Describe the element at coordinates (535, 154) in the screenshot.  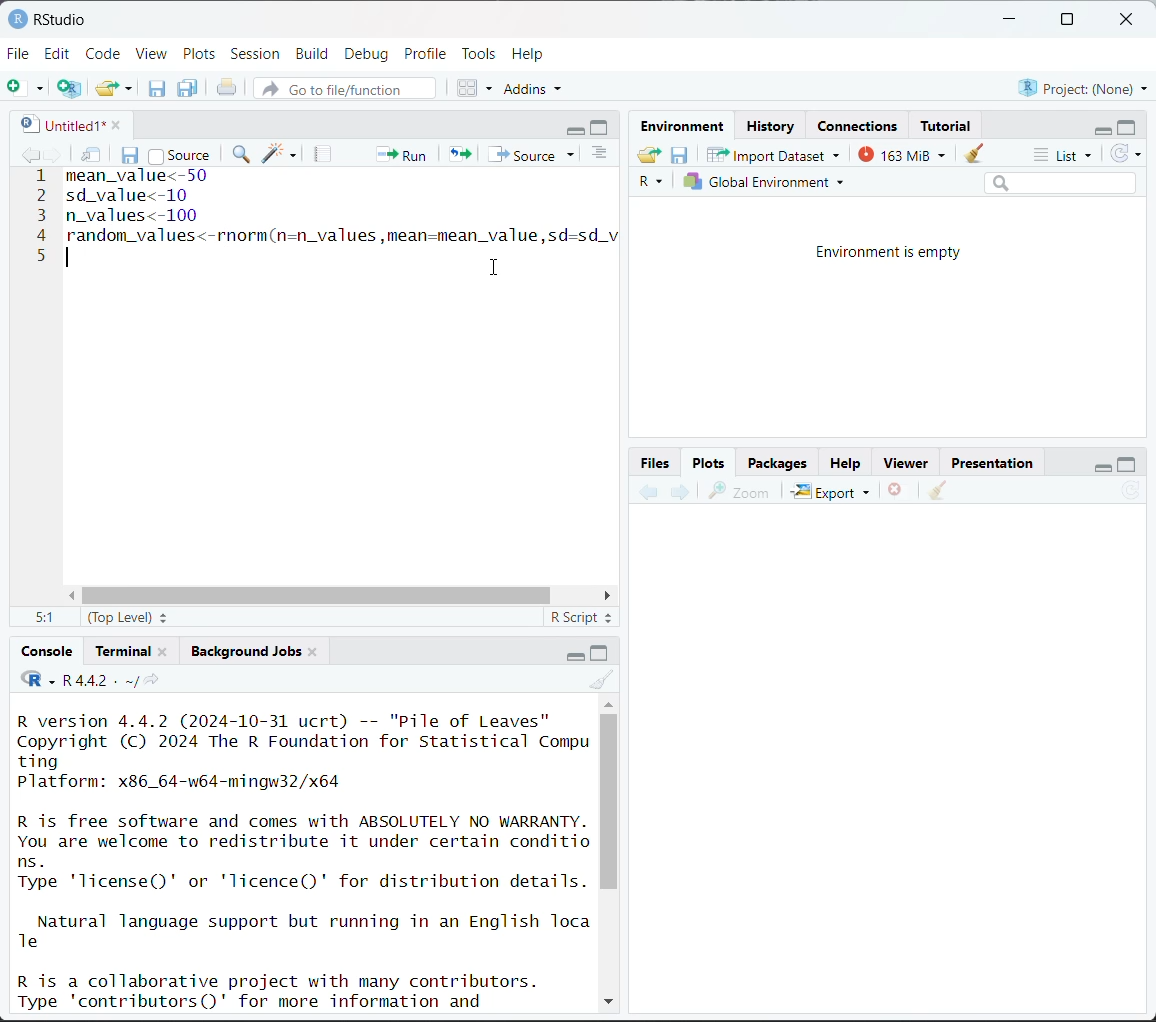
I see `source` at that location.